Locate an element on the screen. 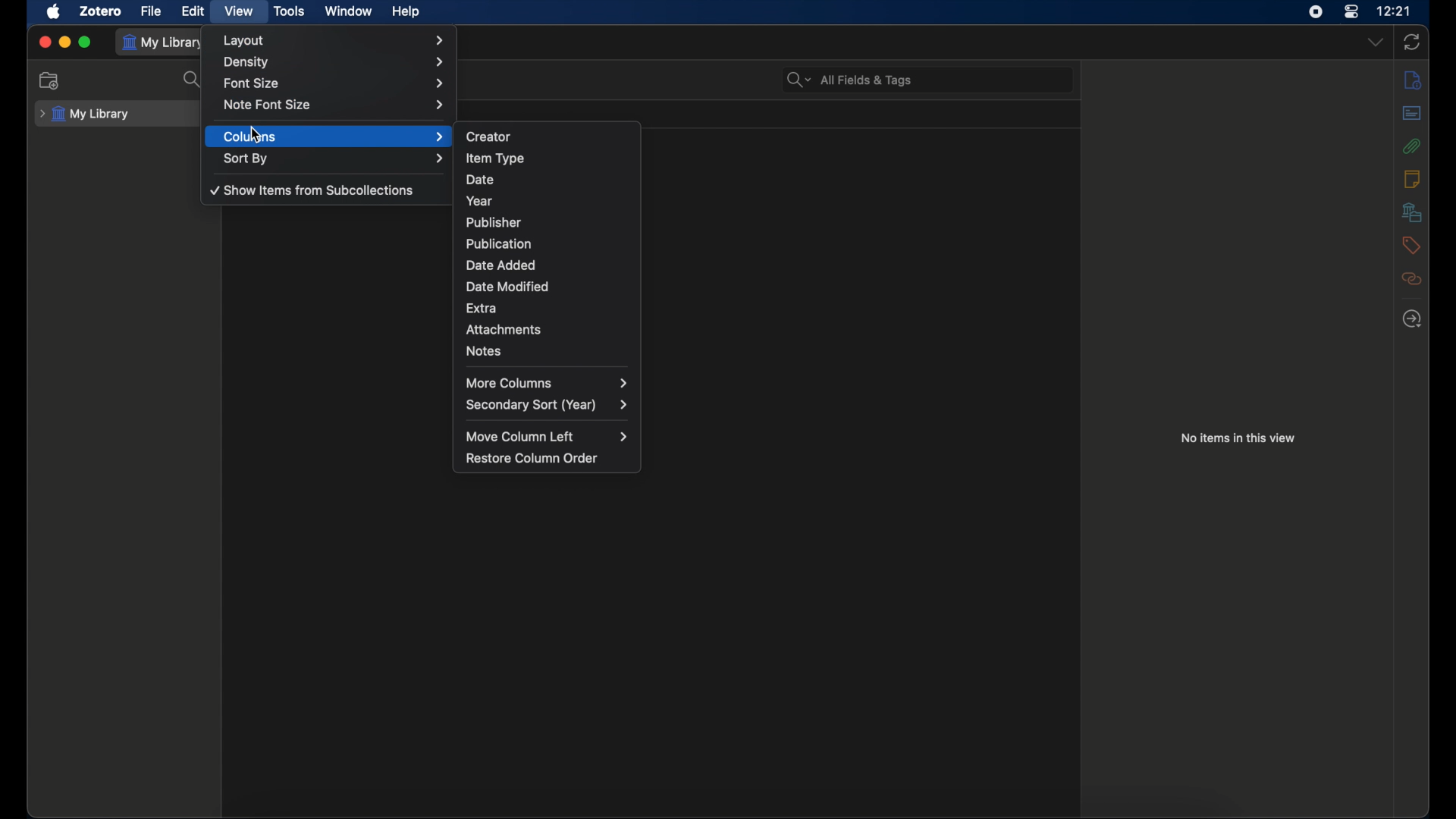 The height and width of the screenshot is (819, 1456). new collections is located at coordinates (49, 81).